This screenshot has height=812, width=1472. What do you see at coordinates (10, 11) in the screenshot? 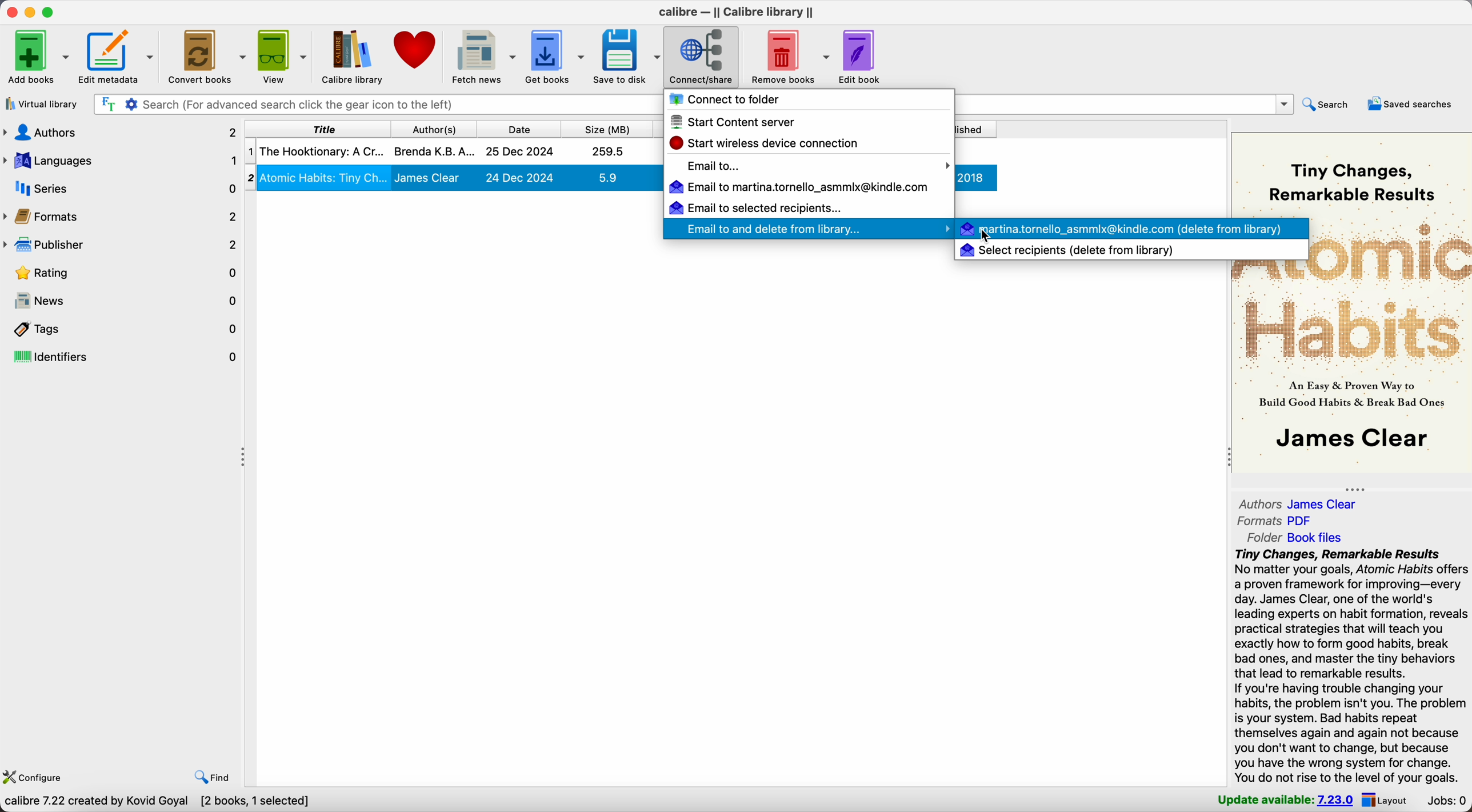
I see `close Calibre` at bounding box center [10, 11].